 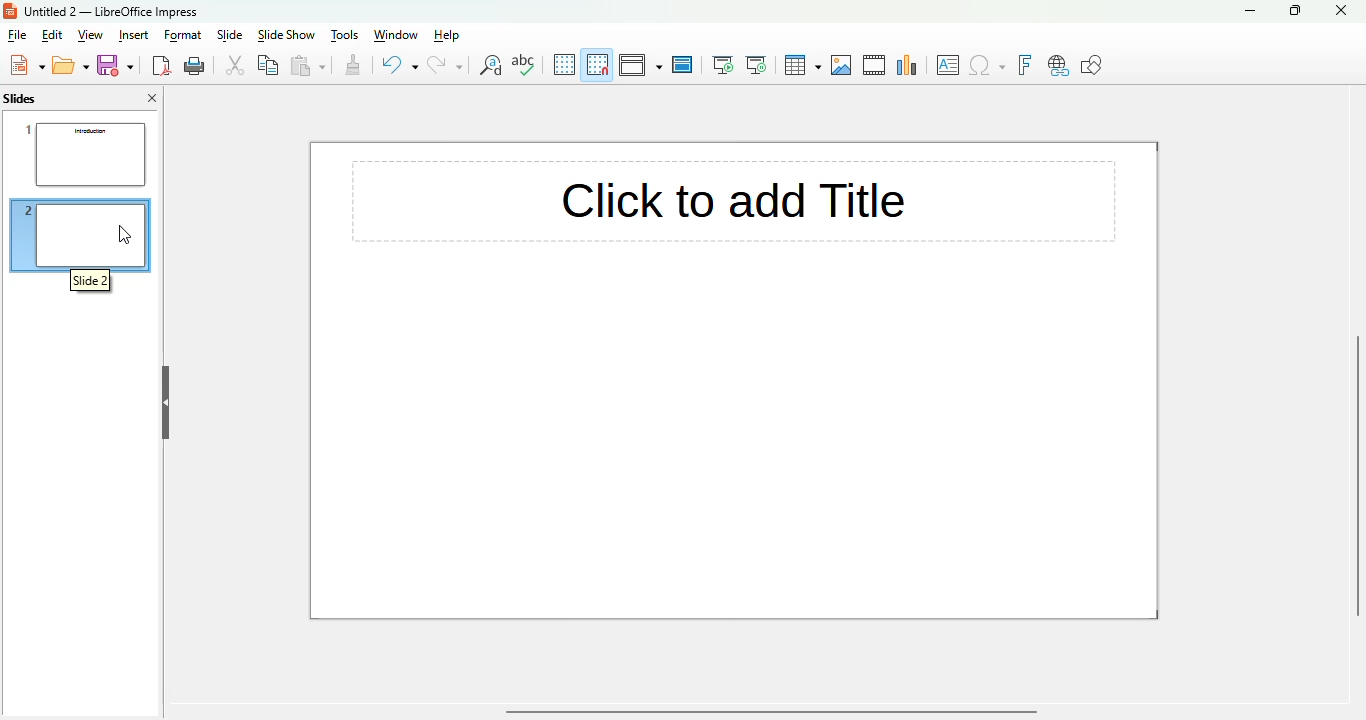 I want to click on logo, so click(x=10, y=10).